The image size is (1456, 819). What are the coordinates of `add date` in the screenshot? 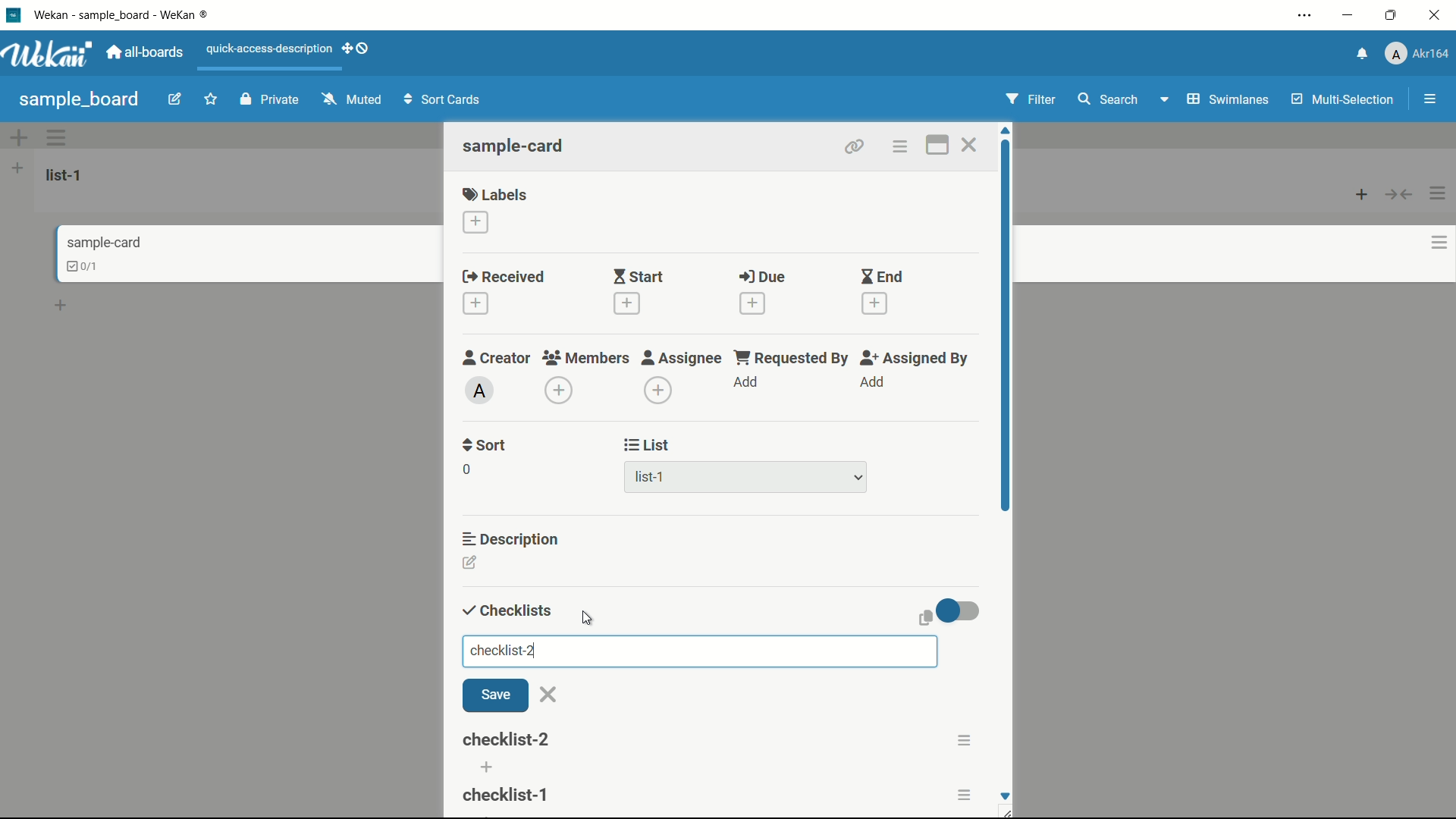 It's located at (875, 304).